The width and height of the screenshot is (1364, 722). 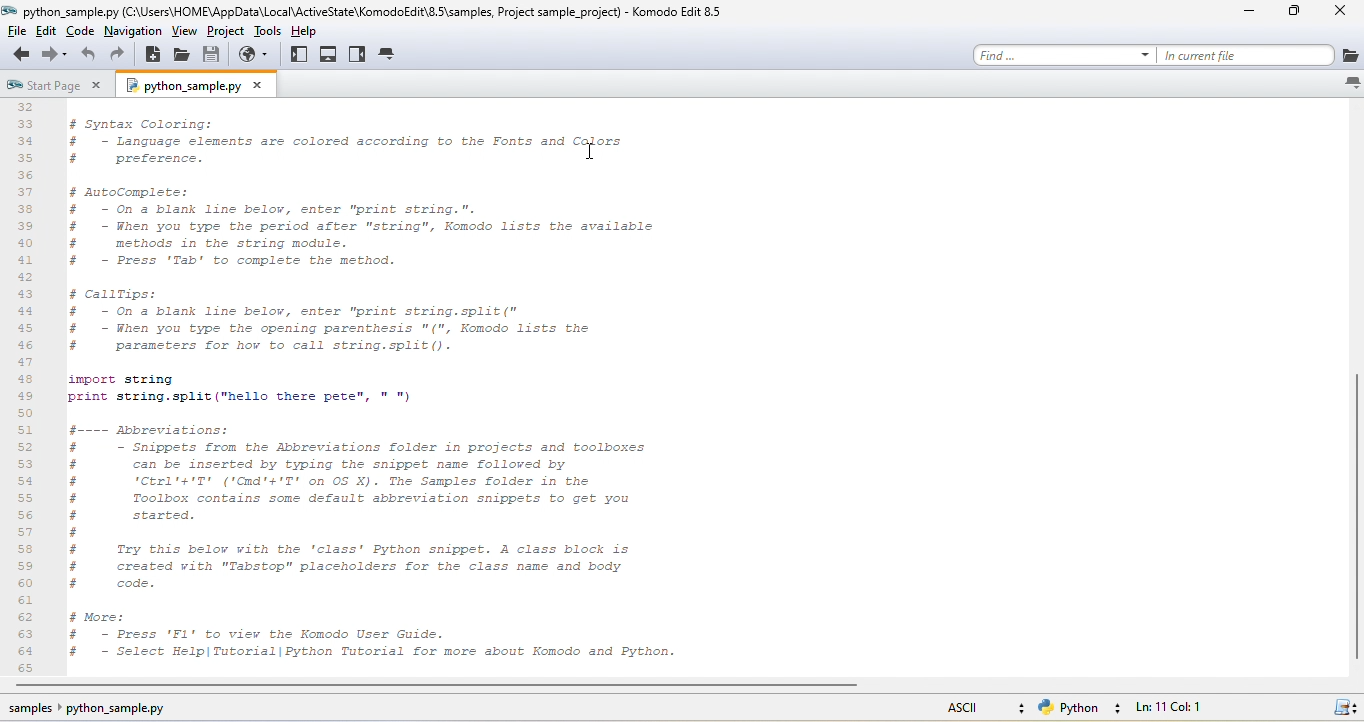 What do you see at coordinates (155, 58) in the screenshot?
I see `new` at bounding box center [155, 58].